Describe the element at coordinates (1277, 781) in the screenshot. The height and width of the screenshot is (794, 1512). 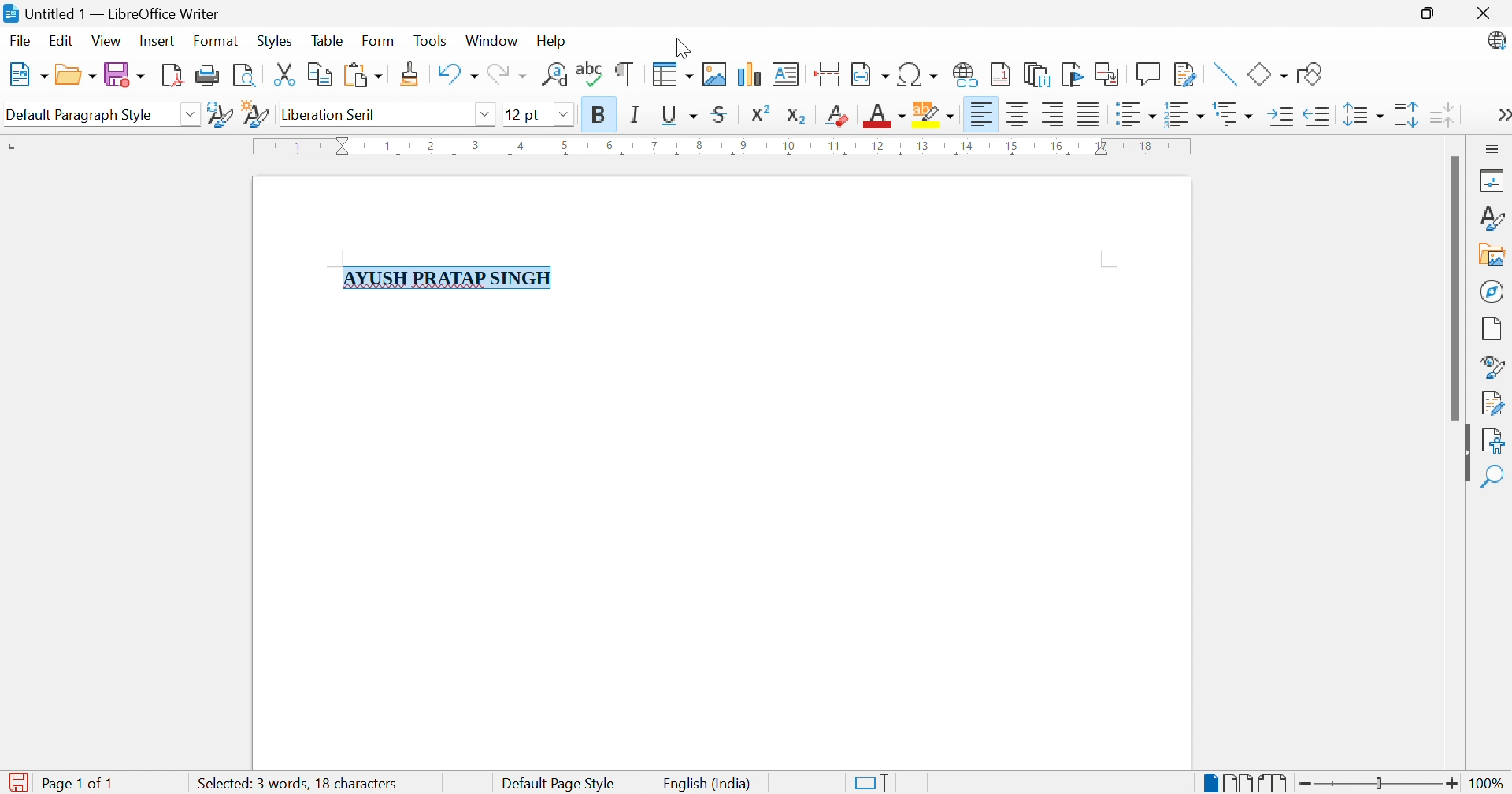
I see `Book View` at that location.